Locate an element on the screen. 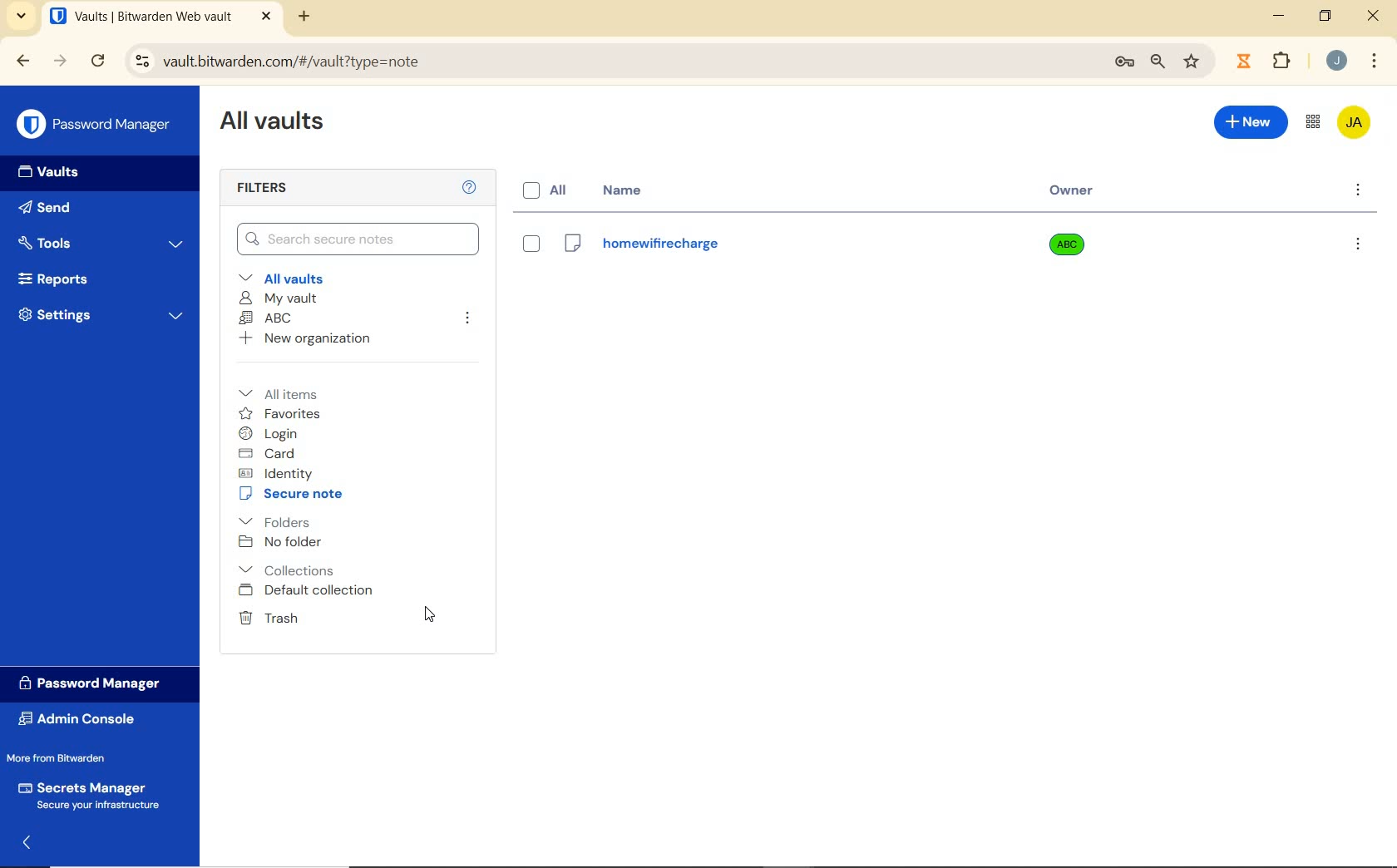 The height and width of the screenshot is (868, 1397). open tab is located at coordinates (160, 16).